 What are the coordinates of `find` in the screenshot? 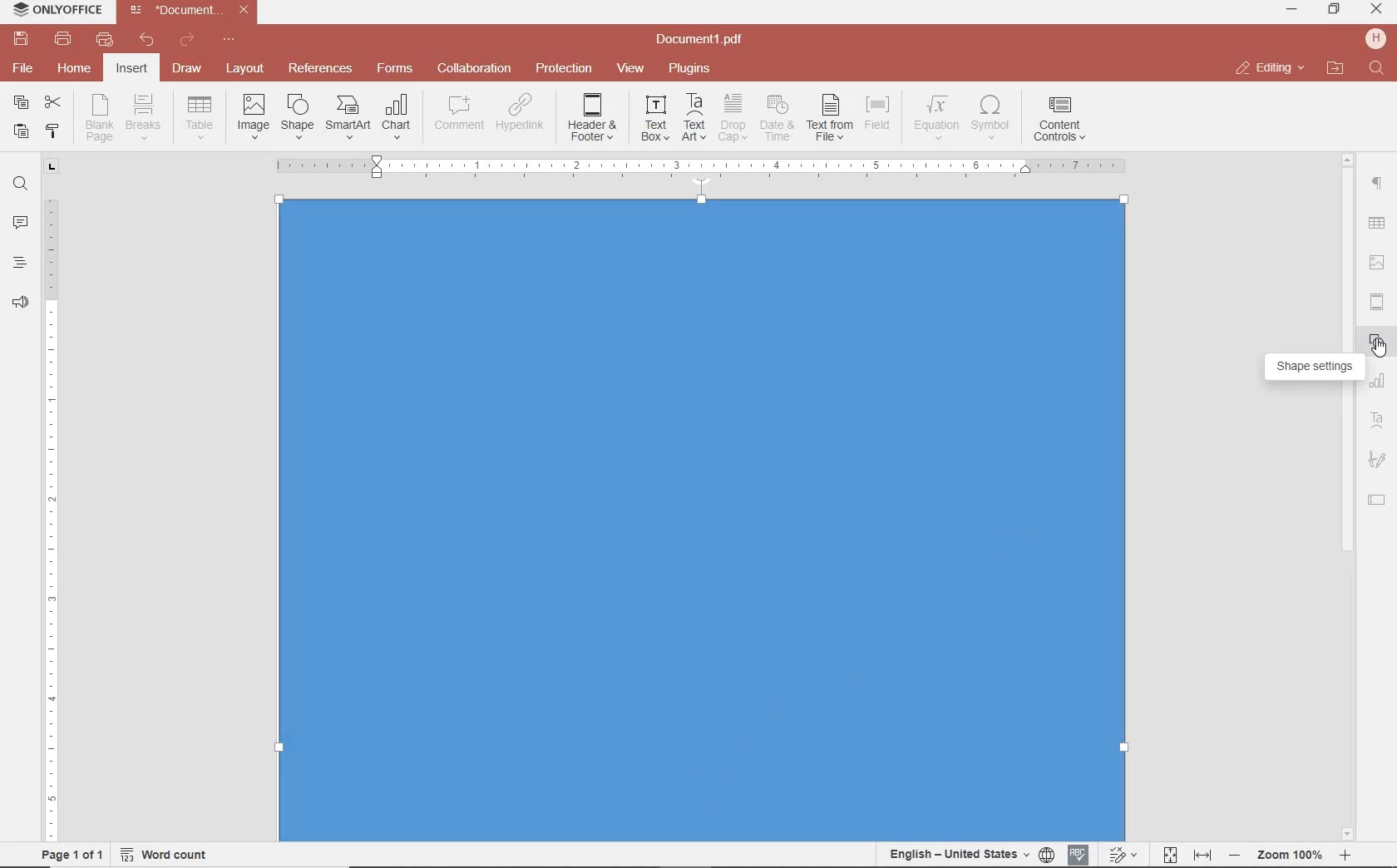 It's located at (1379, 69).